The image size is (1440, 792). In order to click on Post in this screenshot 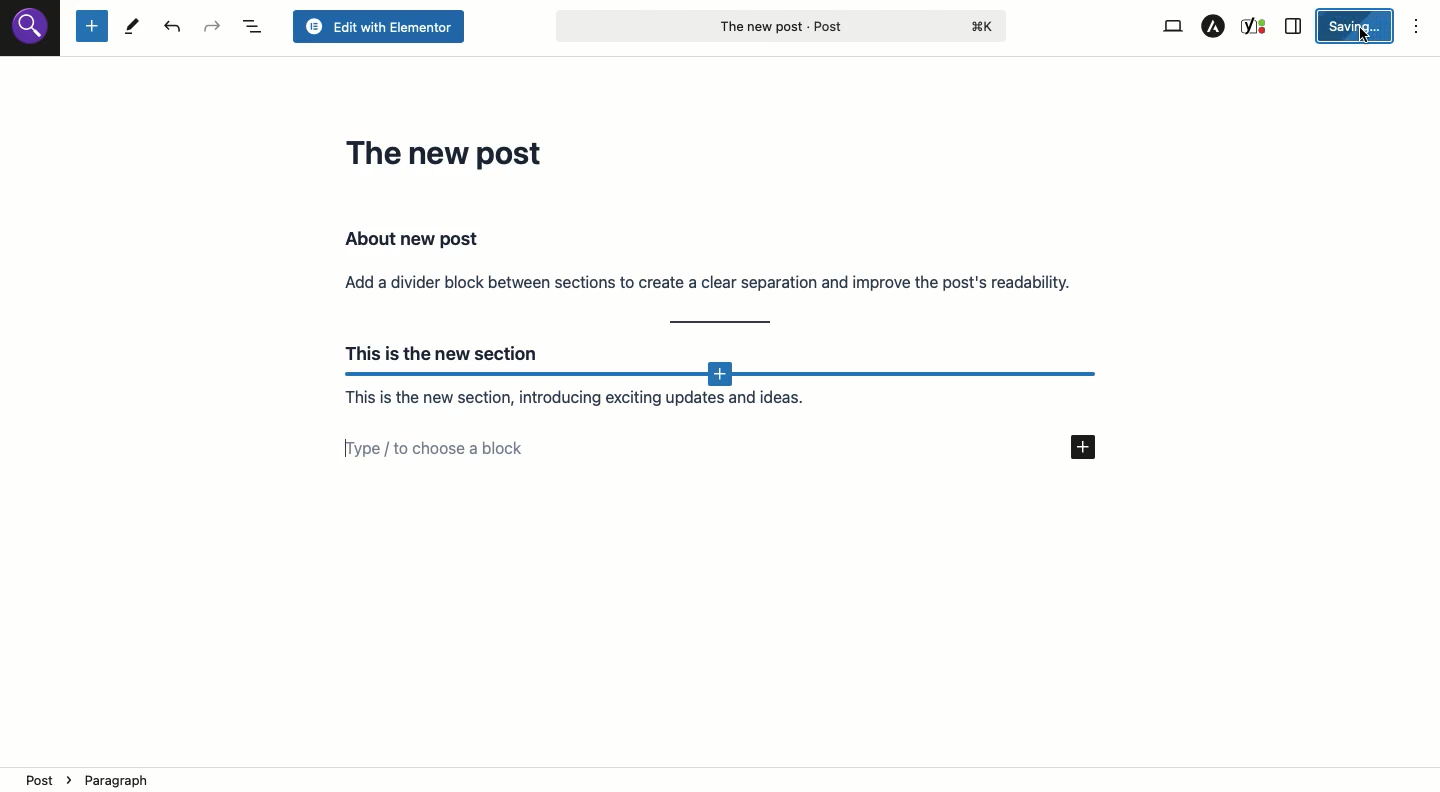, I will do `click(780, 25)`.